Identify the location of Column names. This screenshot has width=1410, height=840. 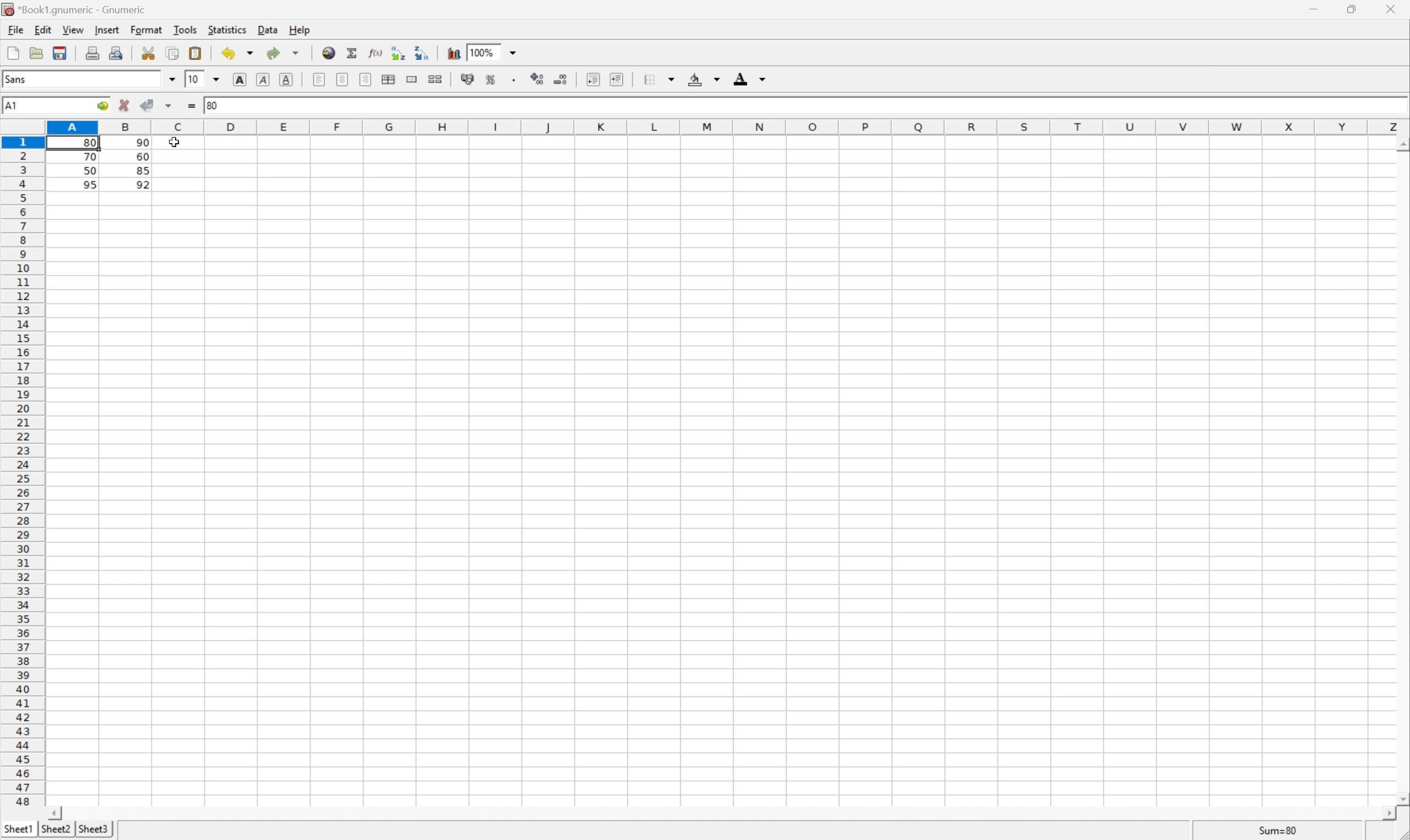
(727, 127).